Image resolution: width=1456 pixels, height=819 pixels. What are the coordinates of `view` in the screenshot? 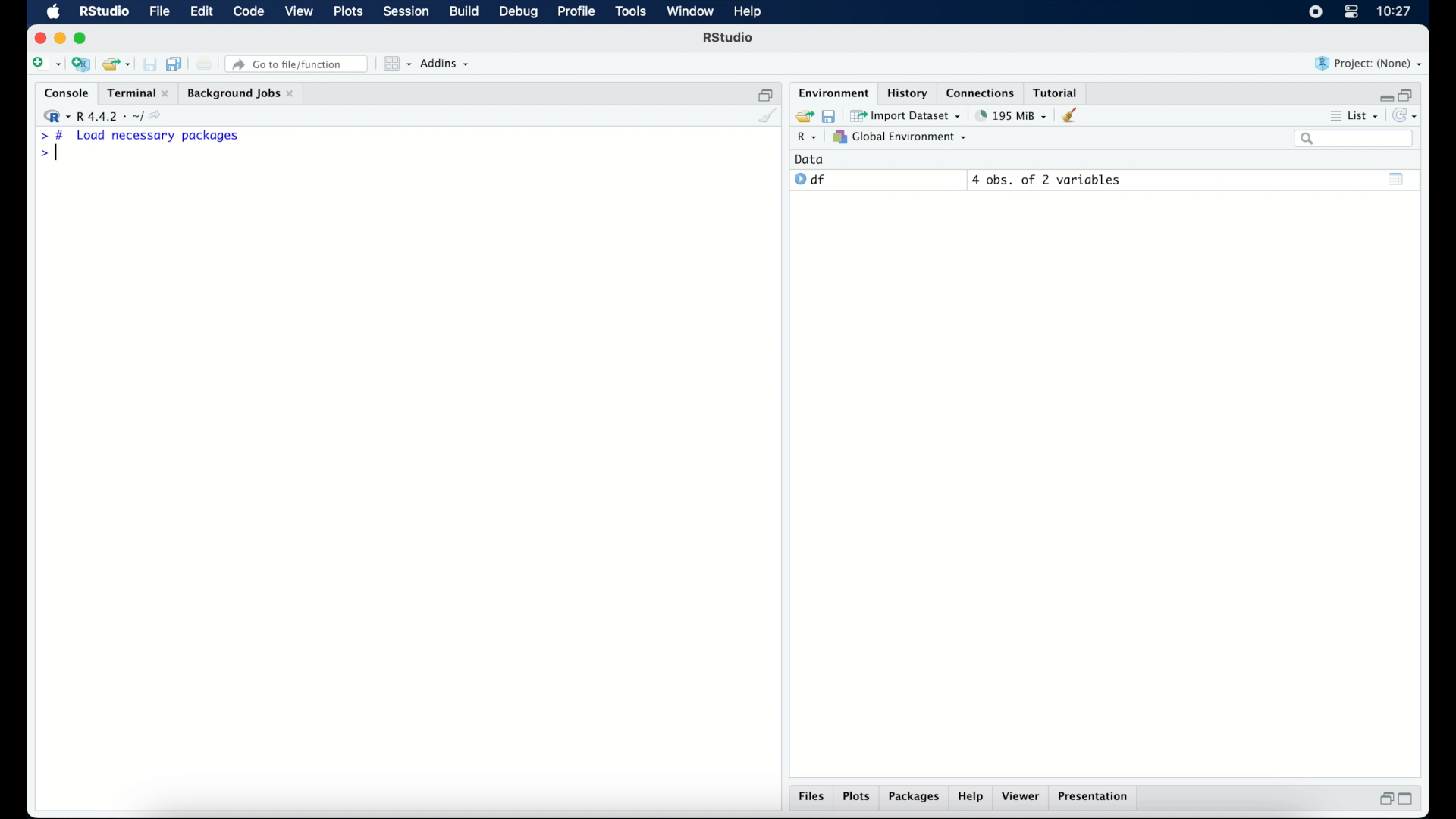 It's located at (300, 13).